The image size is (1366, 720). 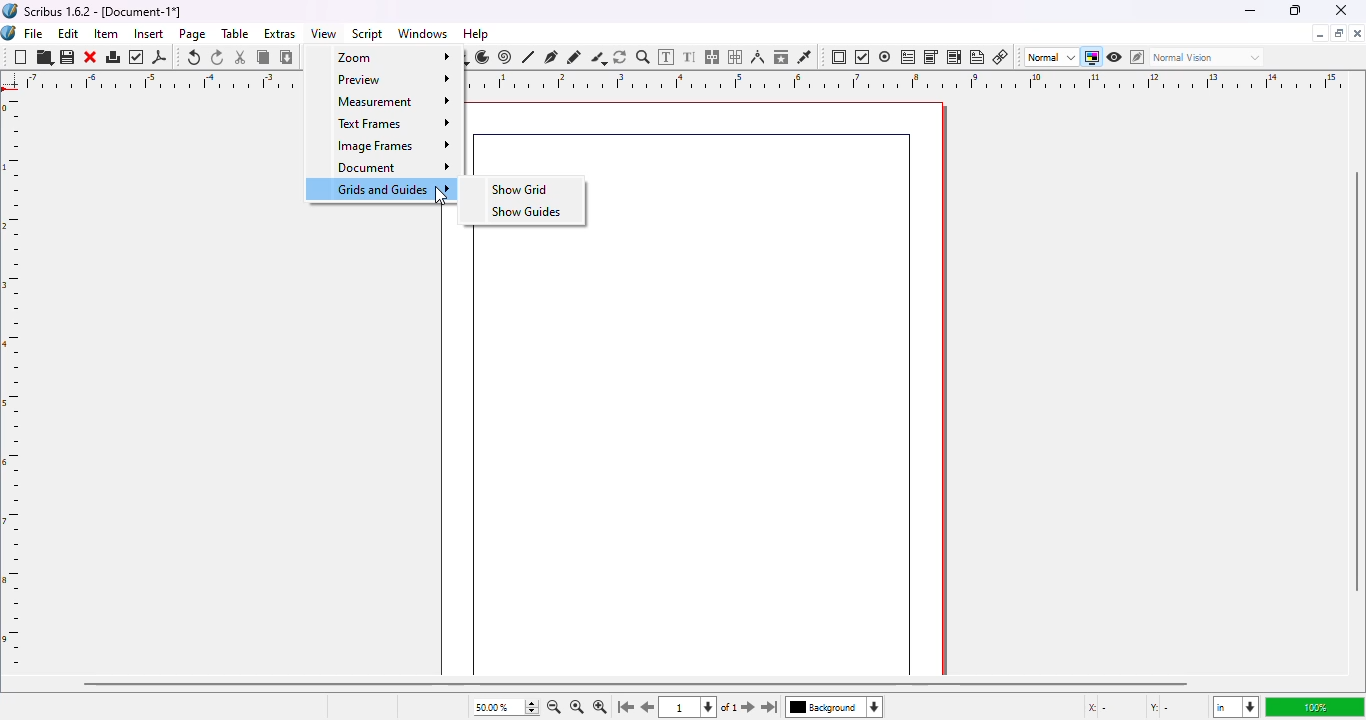 What do you see at coordinates (738, 57) in the screenshot?
I see `unlink text frames` at bounding box center [738, 57].